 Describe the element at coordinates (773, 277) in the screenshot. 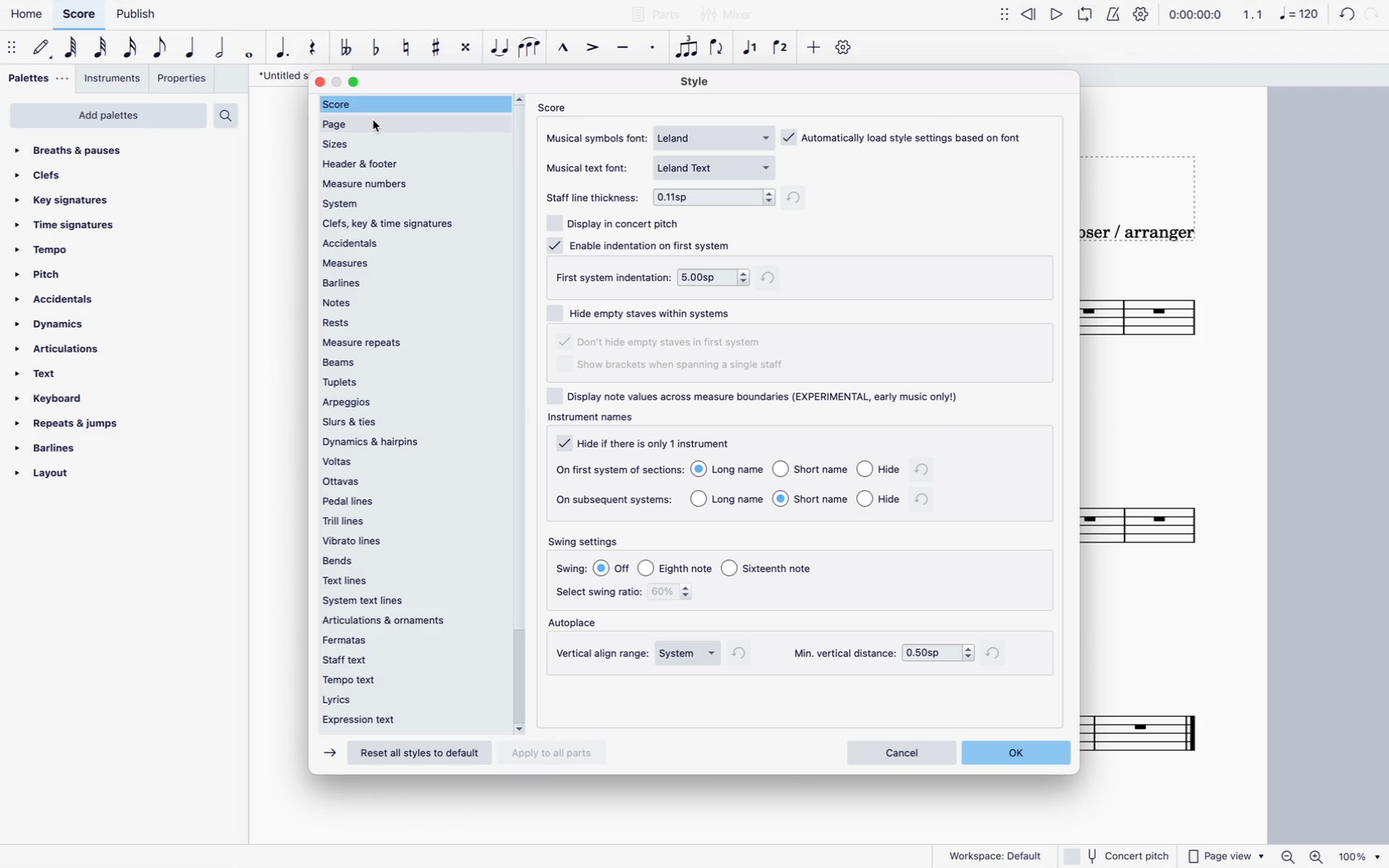

I see `refresh` at that location.